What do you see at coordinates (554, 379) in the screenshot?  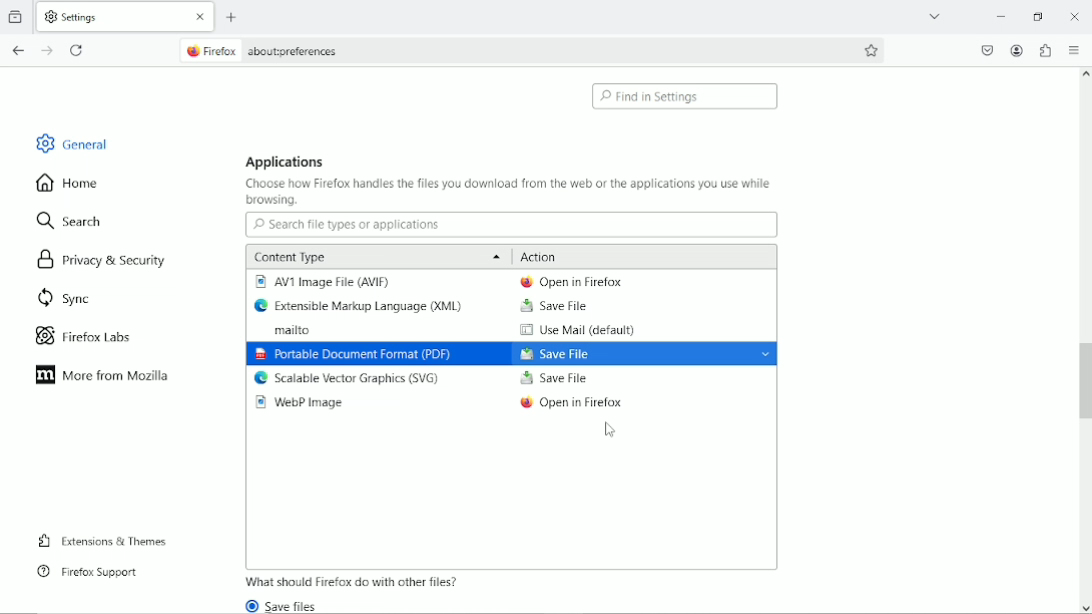 I see `Save file` at bounding box center [554, 379].